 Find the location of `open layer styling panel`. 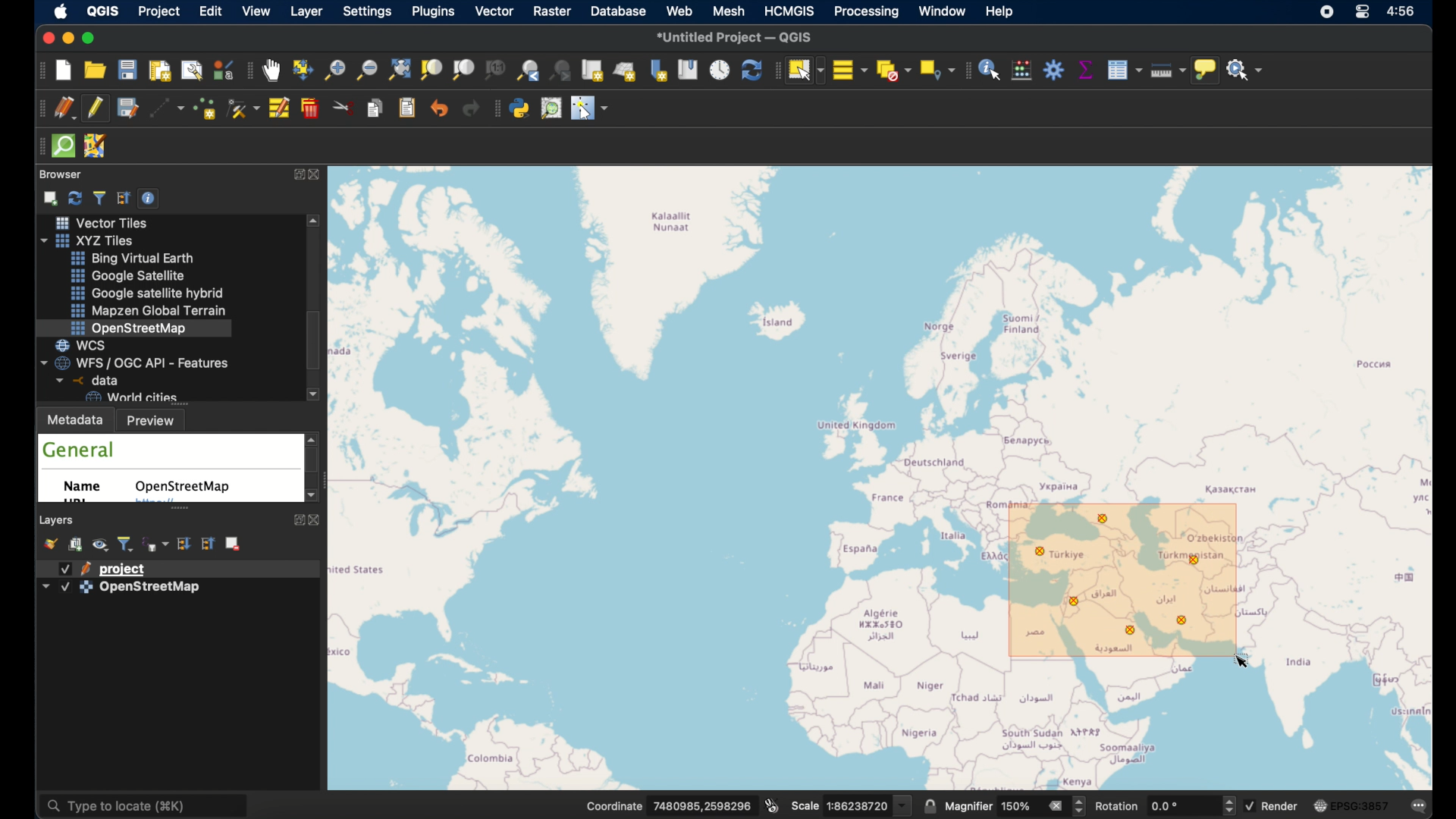

open layer styling panel is located at coordinates (52, 544).